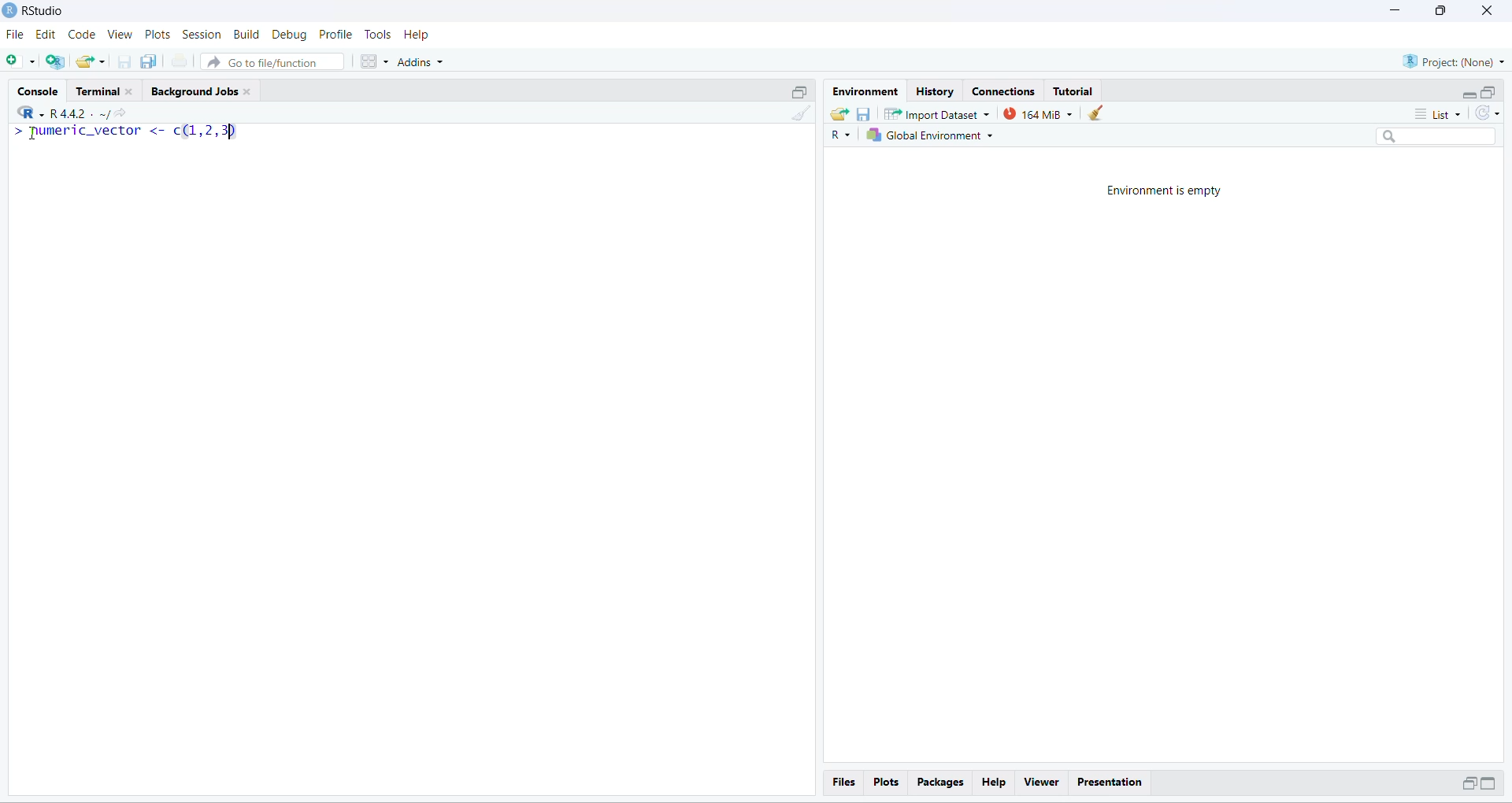  Describe the element at coordinates (51, 113) in the screenshot. I see `"R442` at that location.